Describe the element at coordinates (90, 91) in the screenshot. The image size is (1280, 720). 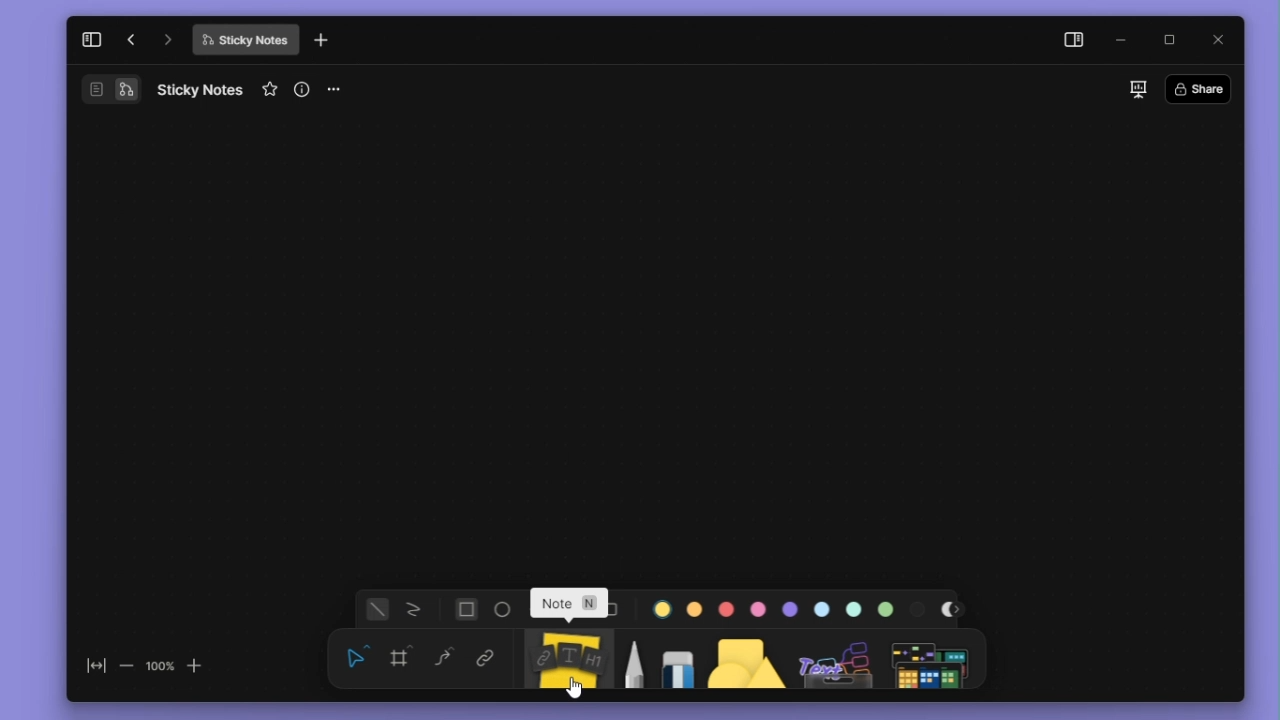
I see `Document/Page Overview` at that location.